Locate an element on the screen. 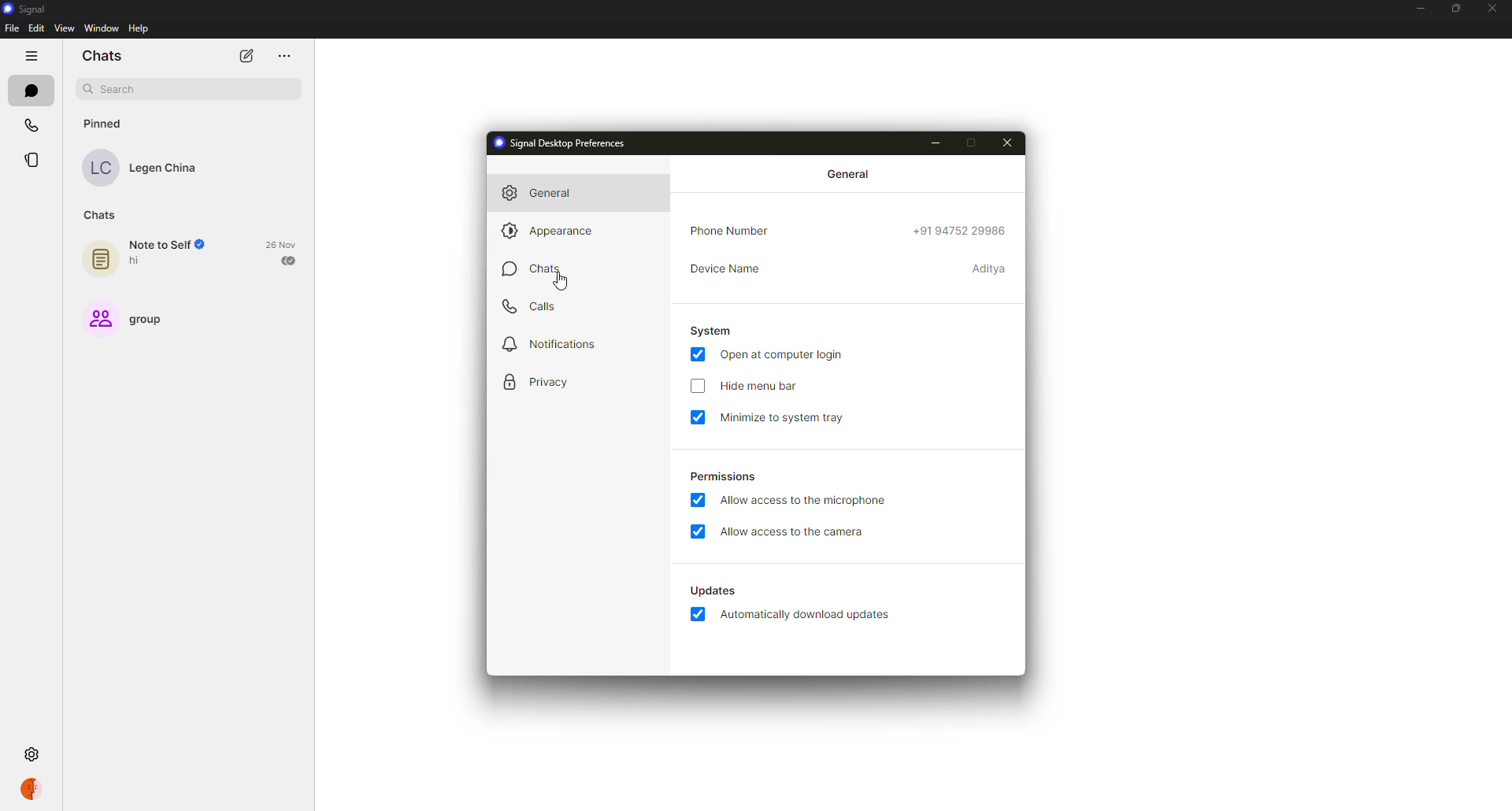  enabled is located at coordinates (698, 533).